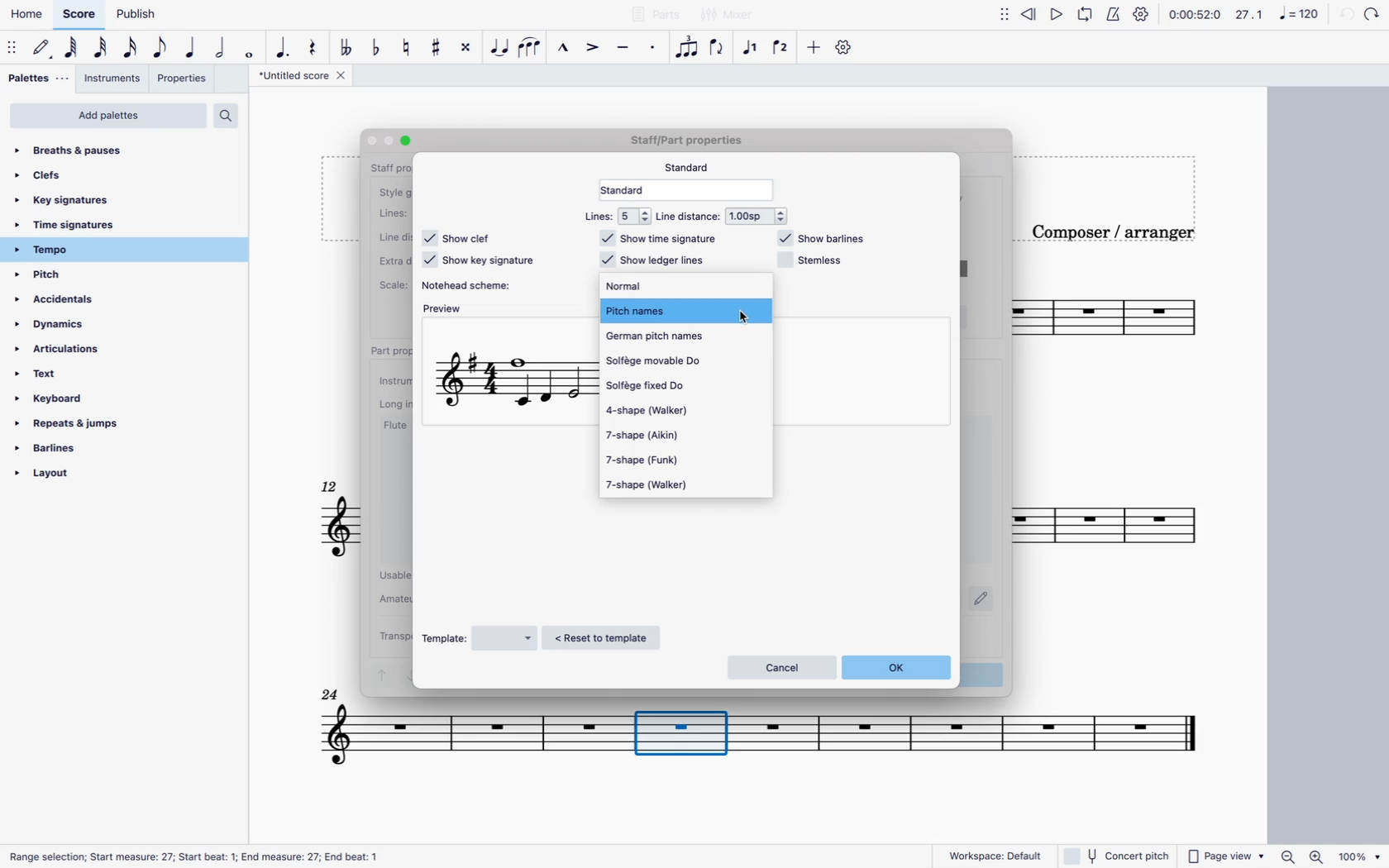 This screenshot has height=868, width=1389. I want to click on tuplet, so click(687, 47).